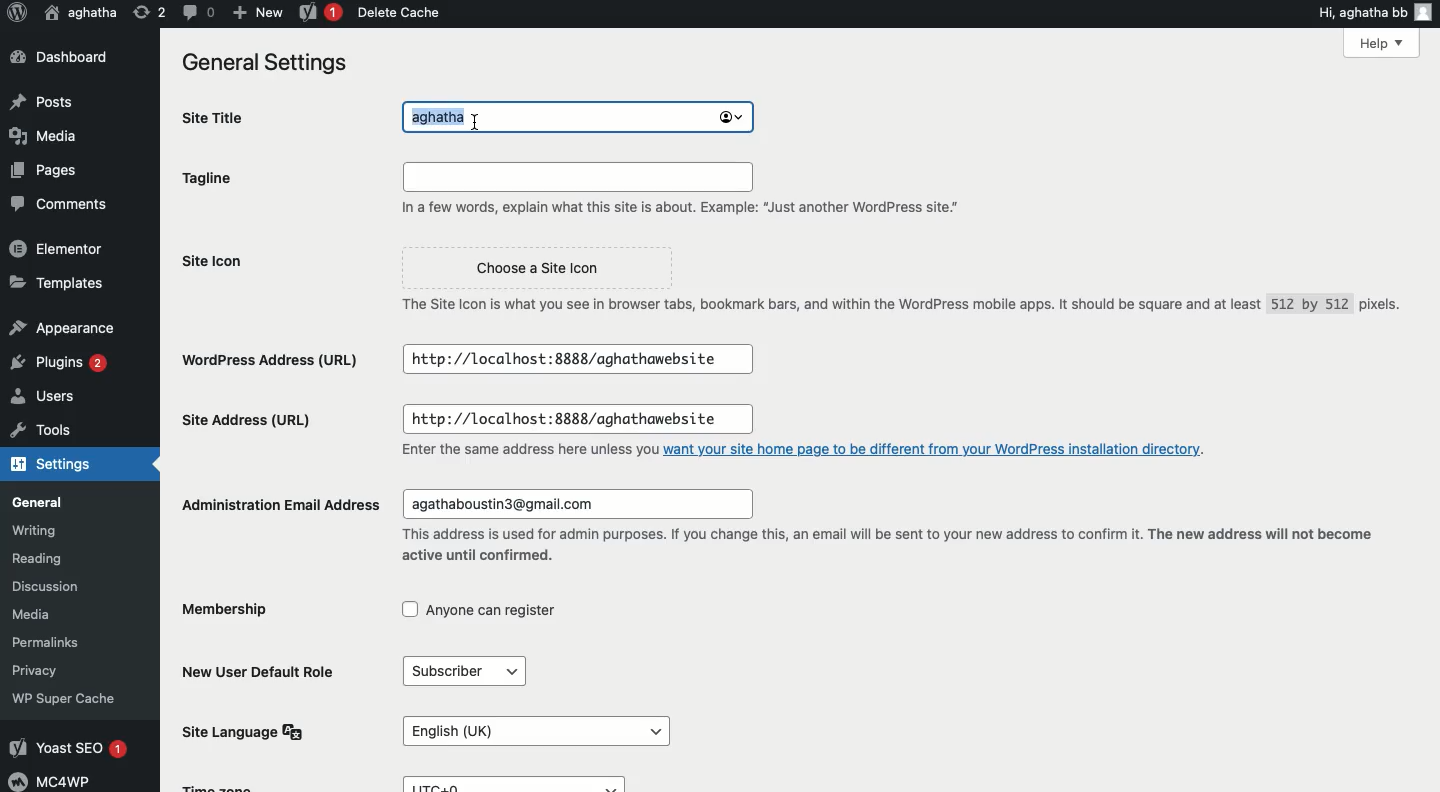 This screenshot has height=792, width=1440. I want to click on Dashboard, so click(60, 59).